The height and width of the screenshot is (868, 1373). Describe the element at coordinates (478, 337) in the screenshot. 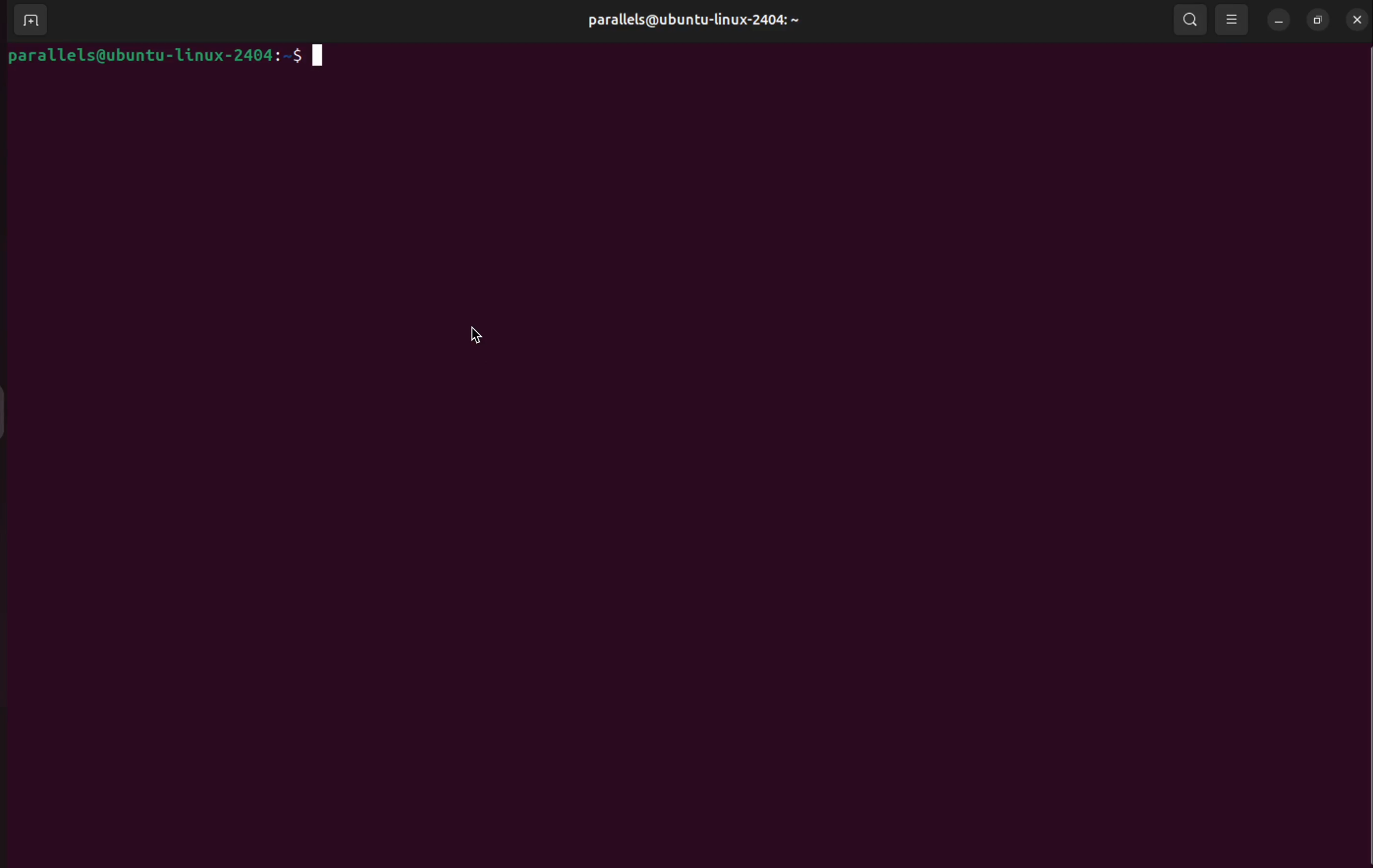

I see `cursor` at that location.